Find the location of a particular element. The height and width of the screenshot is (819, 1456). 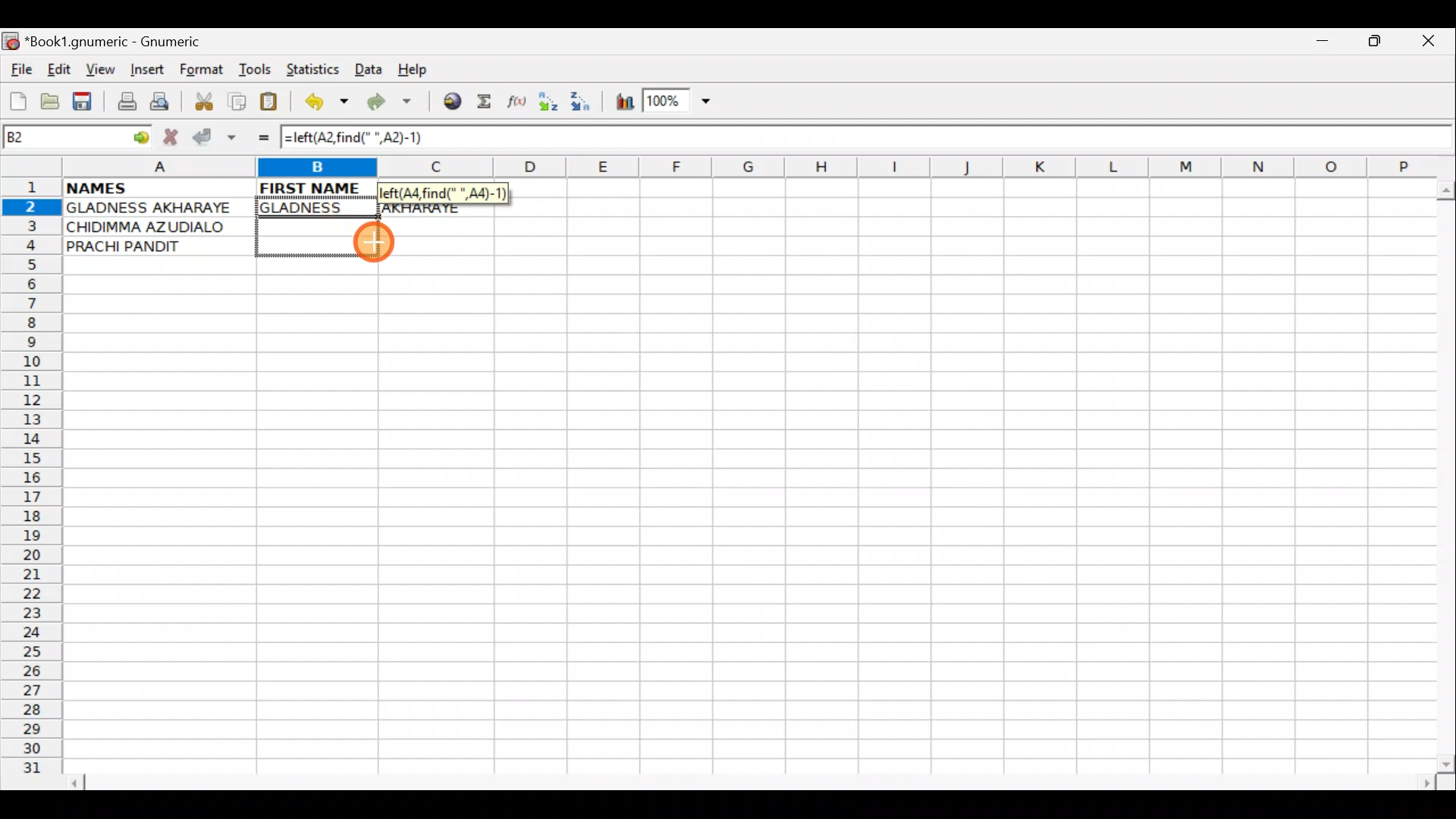

Cut selection is located at coordinates (203, 99).